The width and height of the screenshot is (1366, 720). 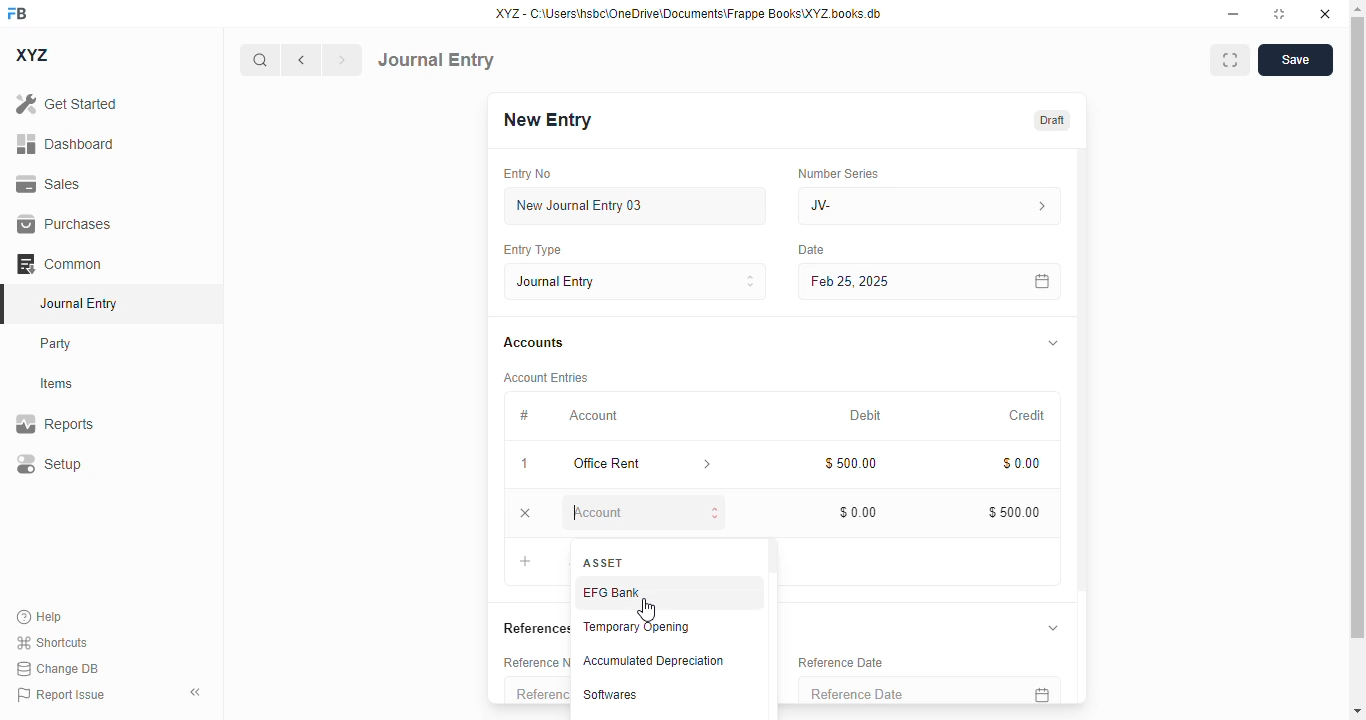 What do you see at coordinates (1039, 690) in the screenshot?
I see `calendar icon` at bounding box center [1039, 690].